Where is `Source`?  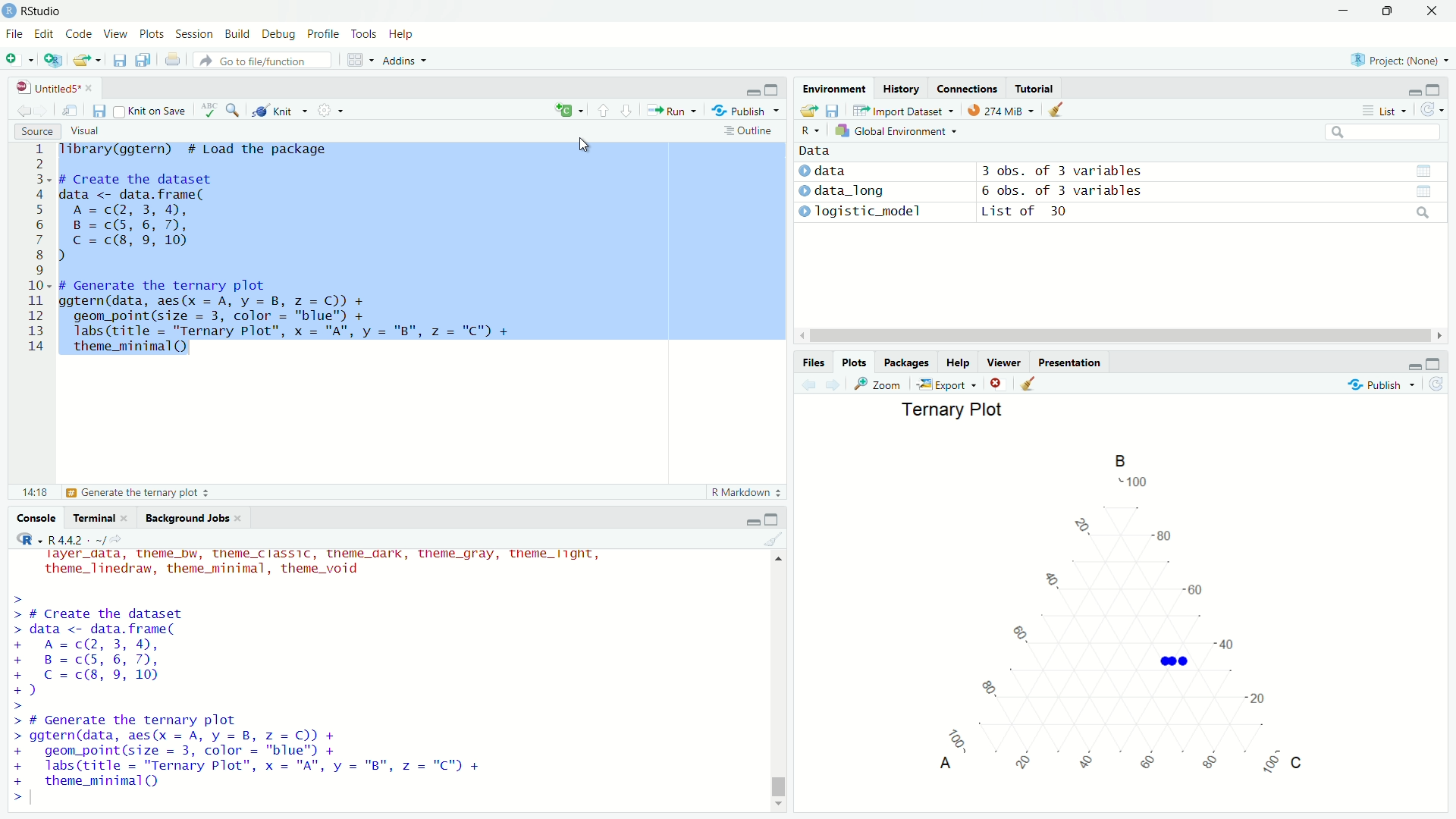
Source is located at coordinates (35, 131).